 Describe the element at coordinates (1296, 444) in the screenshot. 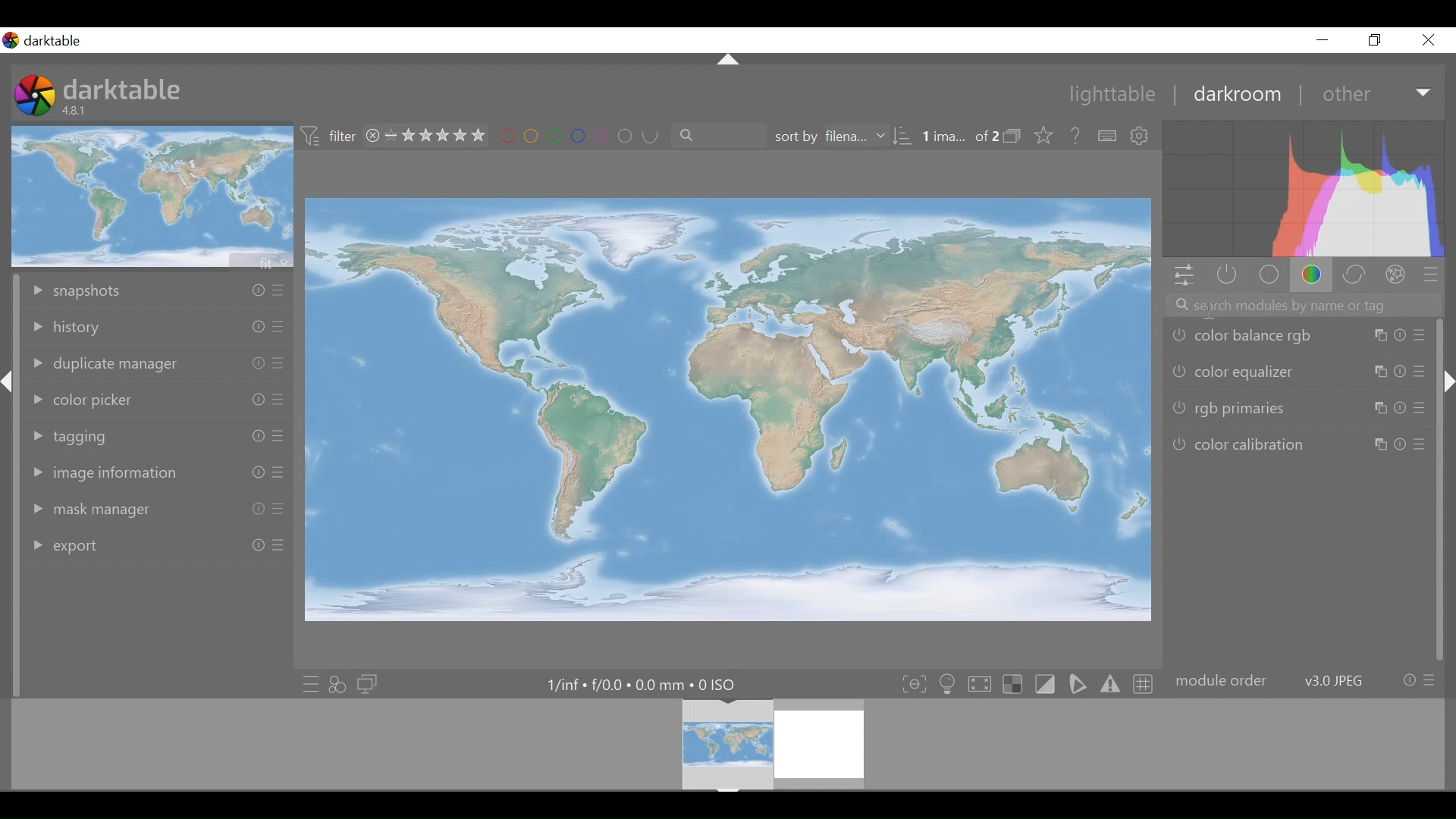

I see `color calibration` at that location.